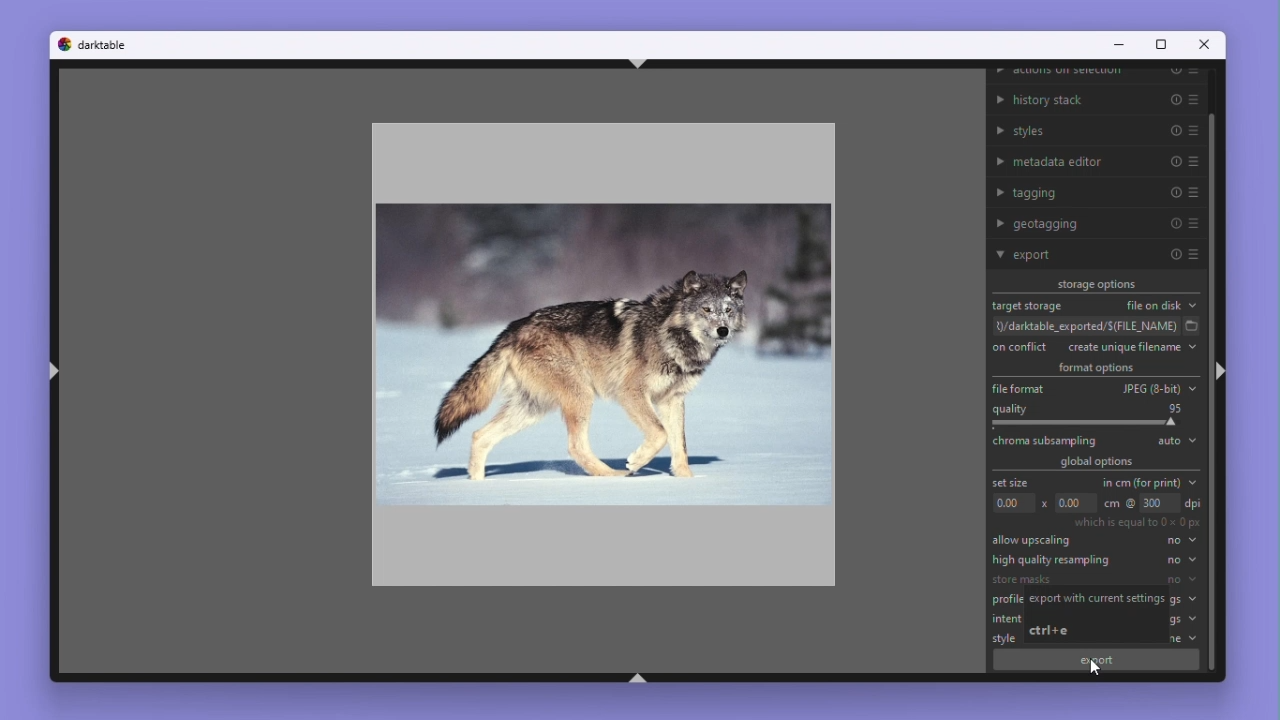 Image resolution: width=1280 pixels, height=720 pixels. What do you see at coordinates (1205, 46) in the screenshot?
I see `Close` at bounding box center [1205, 46].